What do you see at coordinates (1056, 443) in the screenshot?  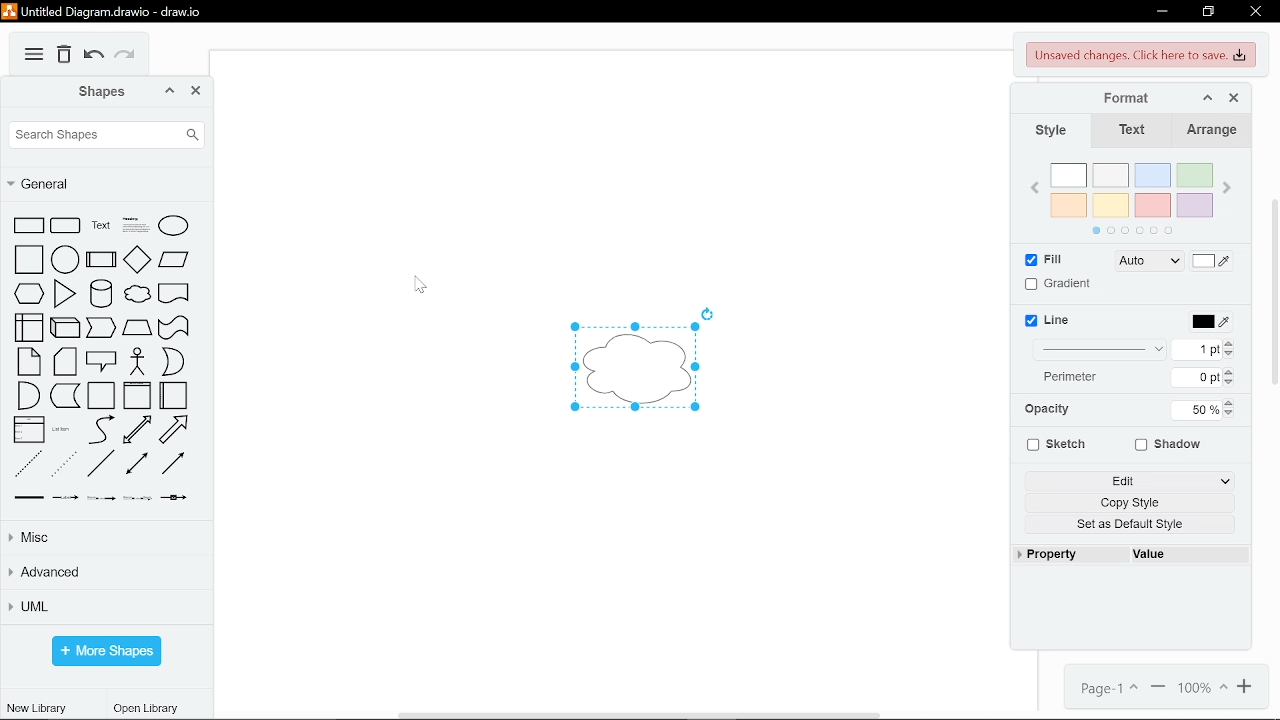 I see `sketch` at bounding box center [1056, 443].